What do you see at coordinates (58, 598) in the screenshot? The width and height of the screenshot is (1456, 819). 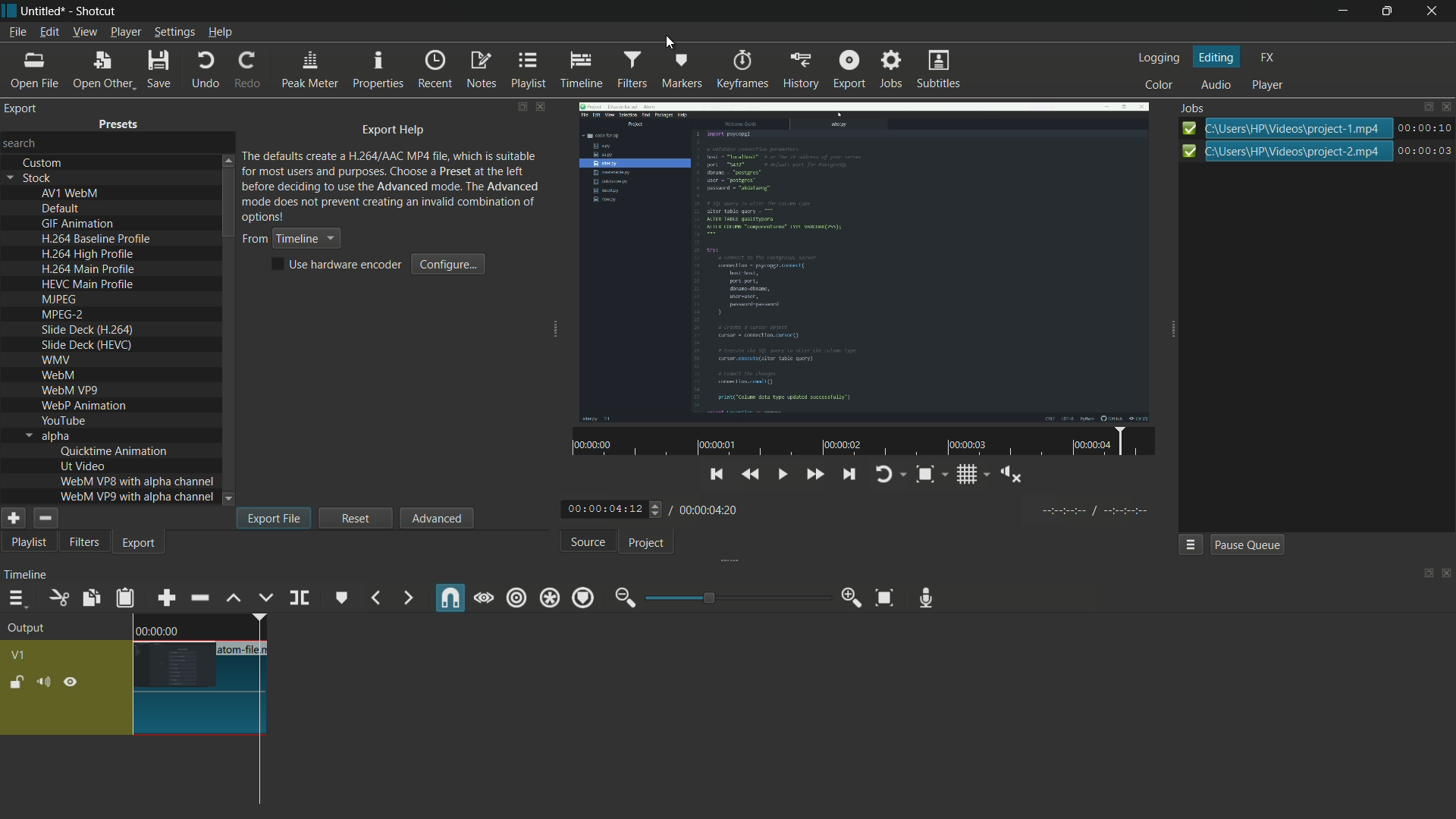 I see `cut` at bounding box center [58, 598].